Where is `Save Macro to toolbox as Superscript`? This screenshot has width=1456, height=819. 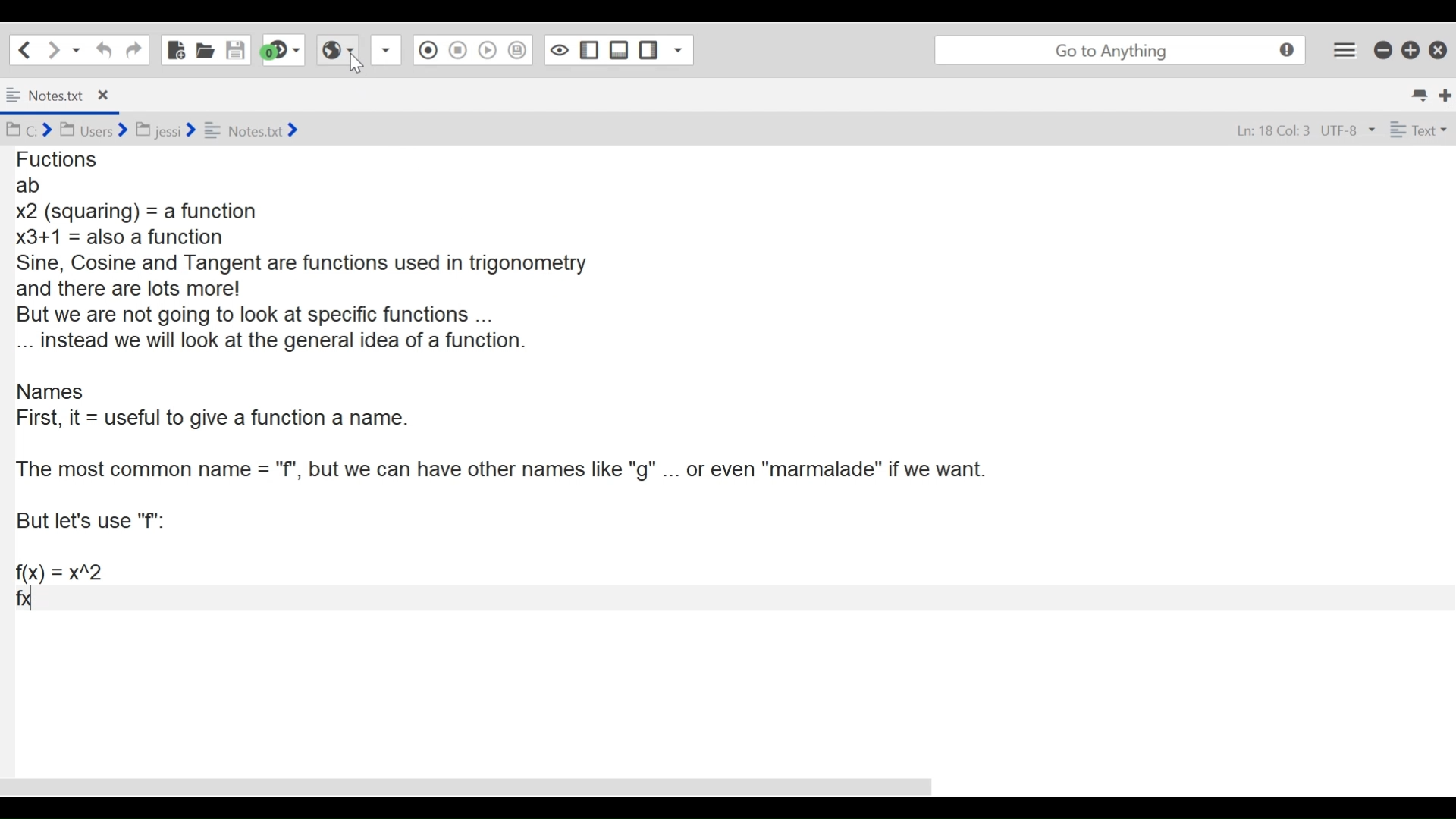 Save Macro to toolbox as Superscript is located at coordinates (518, 49).